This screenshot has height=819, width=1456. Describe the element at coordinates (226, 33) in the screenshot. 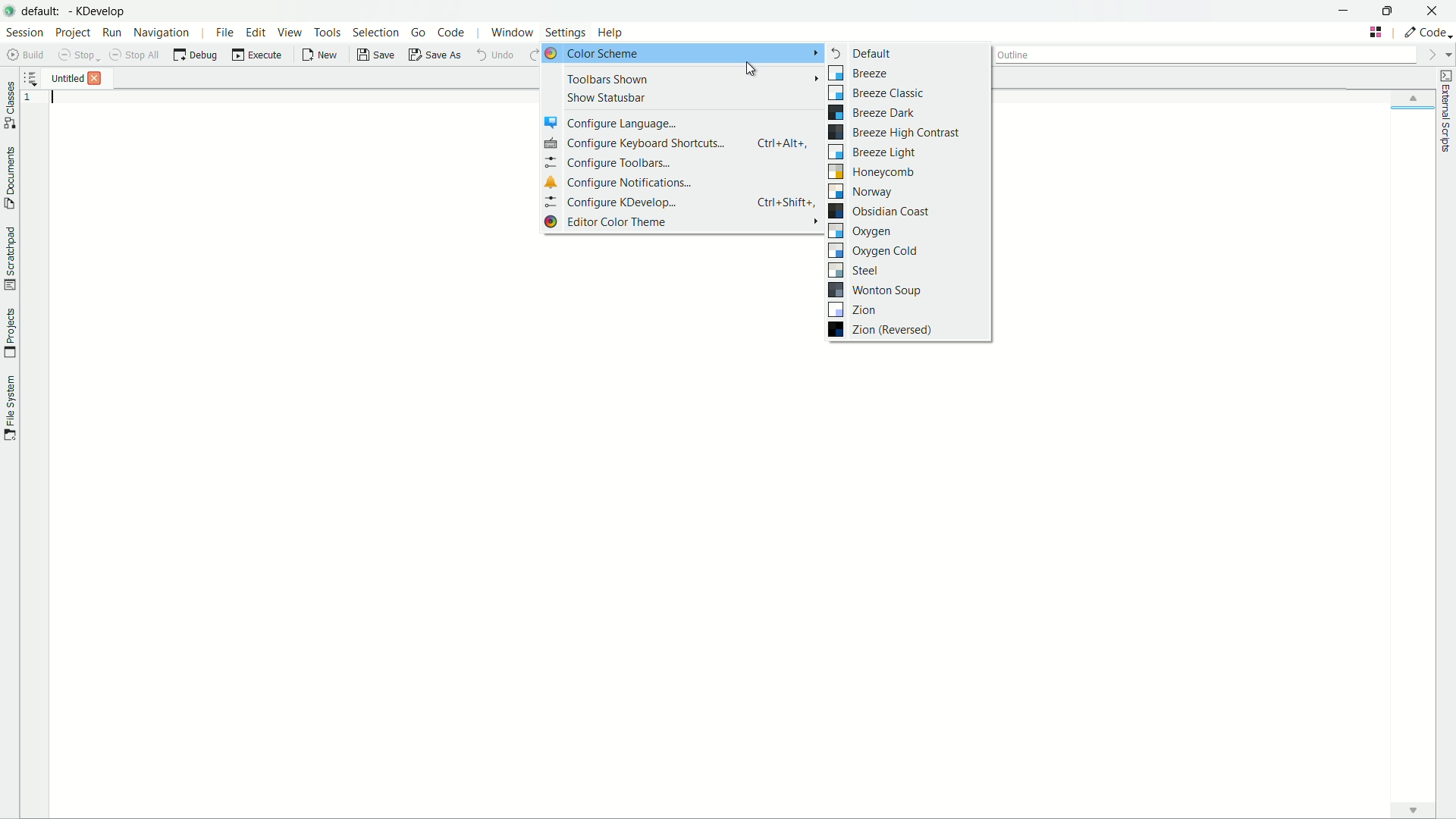

I see `file` at that location.